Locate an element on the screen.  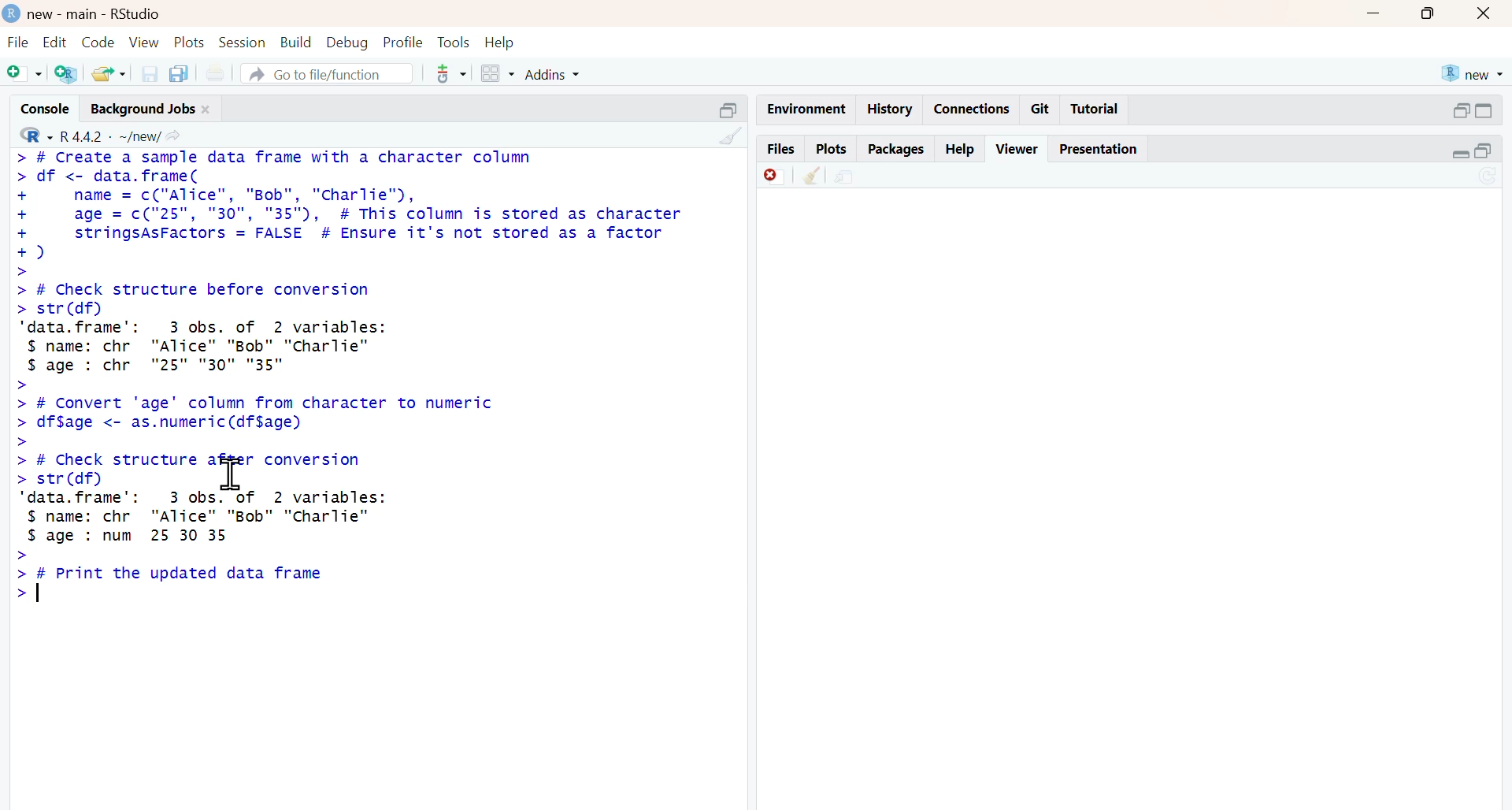
plots is located at coordinates (189, 43).